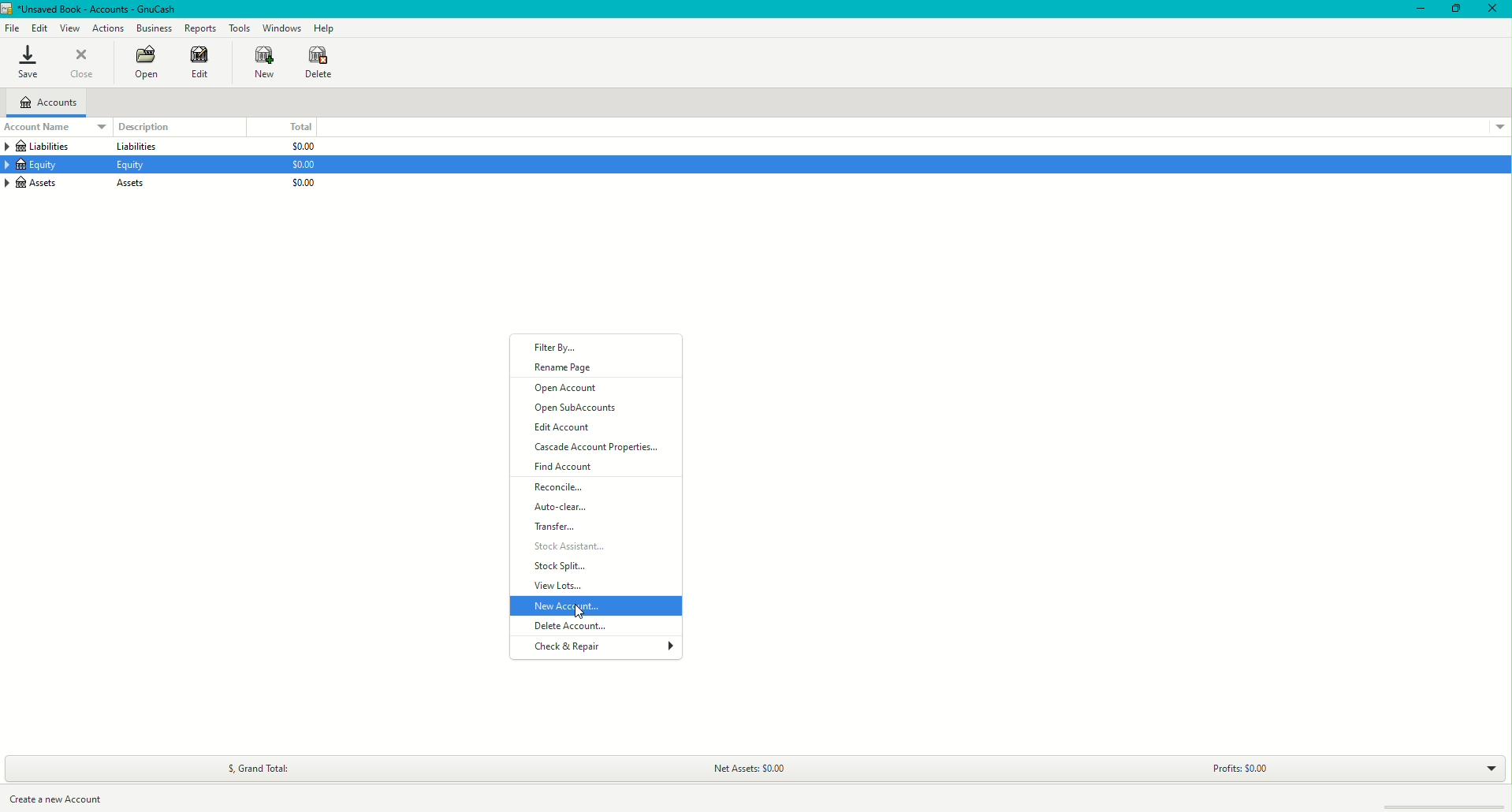 This screenshot has width=1512, height=812. Describe the element at coordinates (281, 28) in the screenshot. I see `Windows` at that location.